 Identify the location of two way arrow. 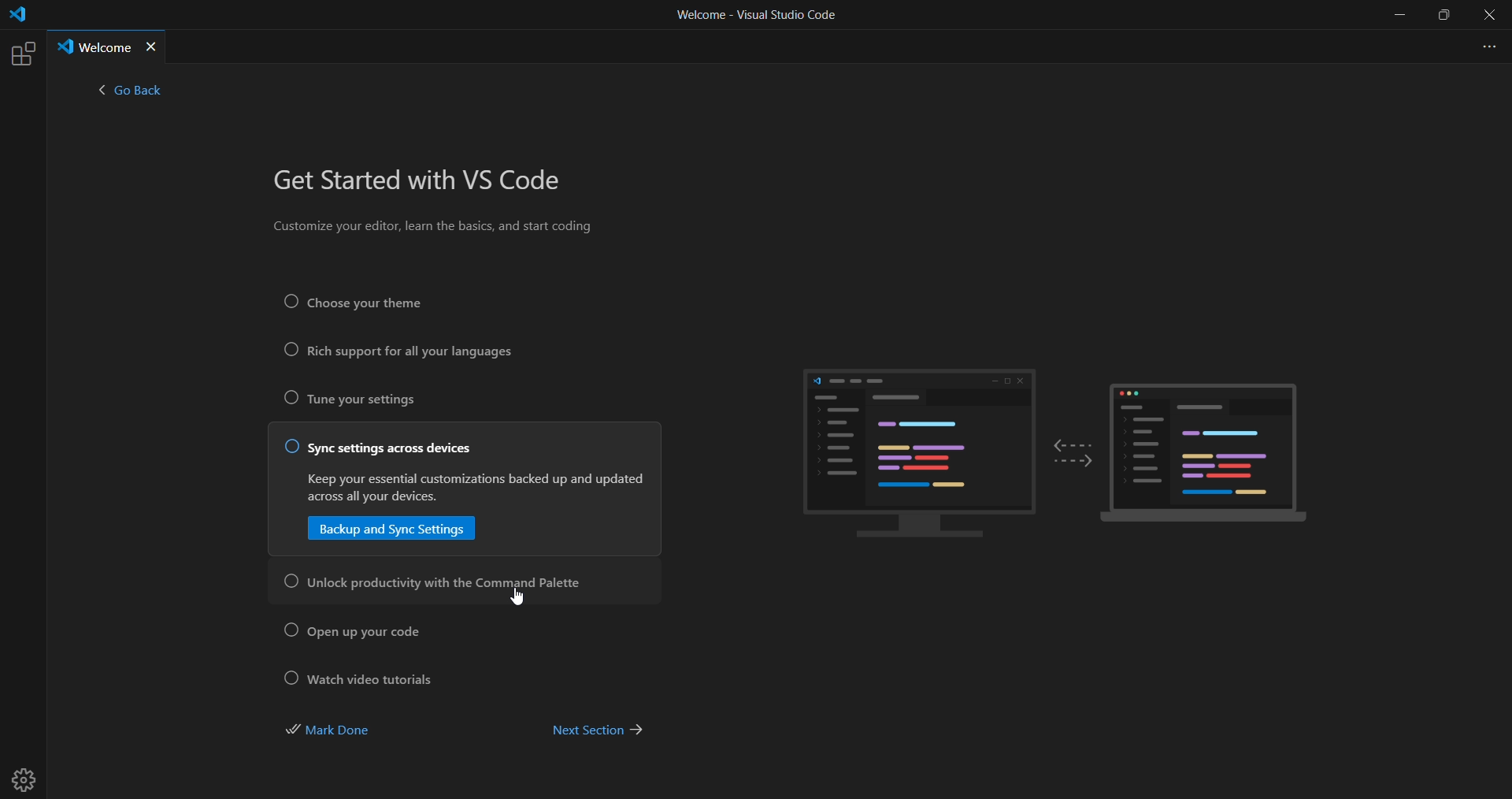
(1072, 453).